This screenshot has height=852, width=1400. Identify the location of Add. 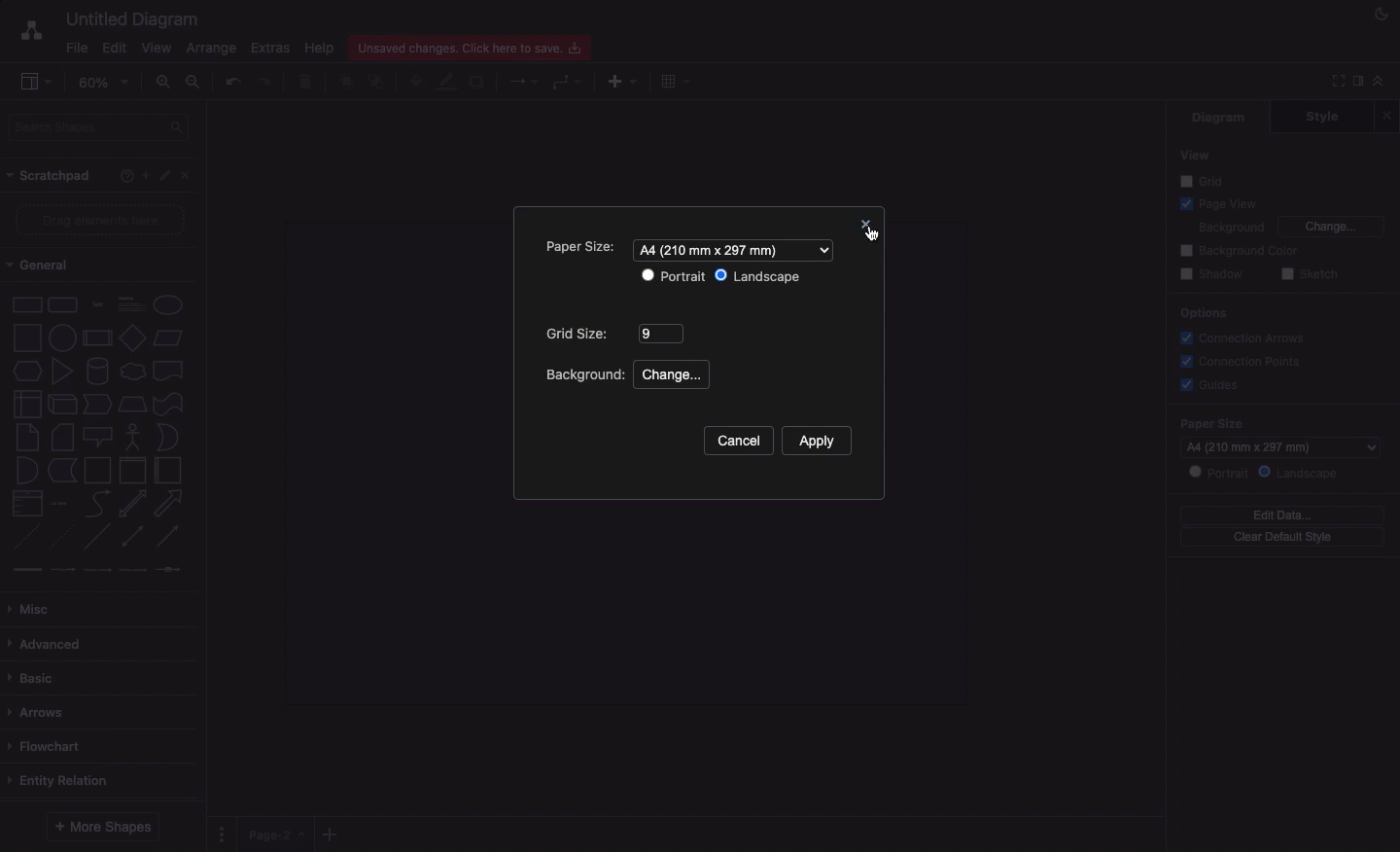
(622, 81).